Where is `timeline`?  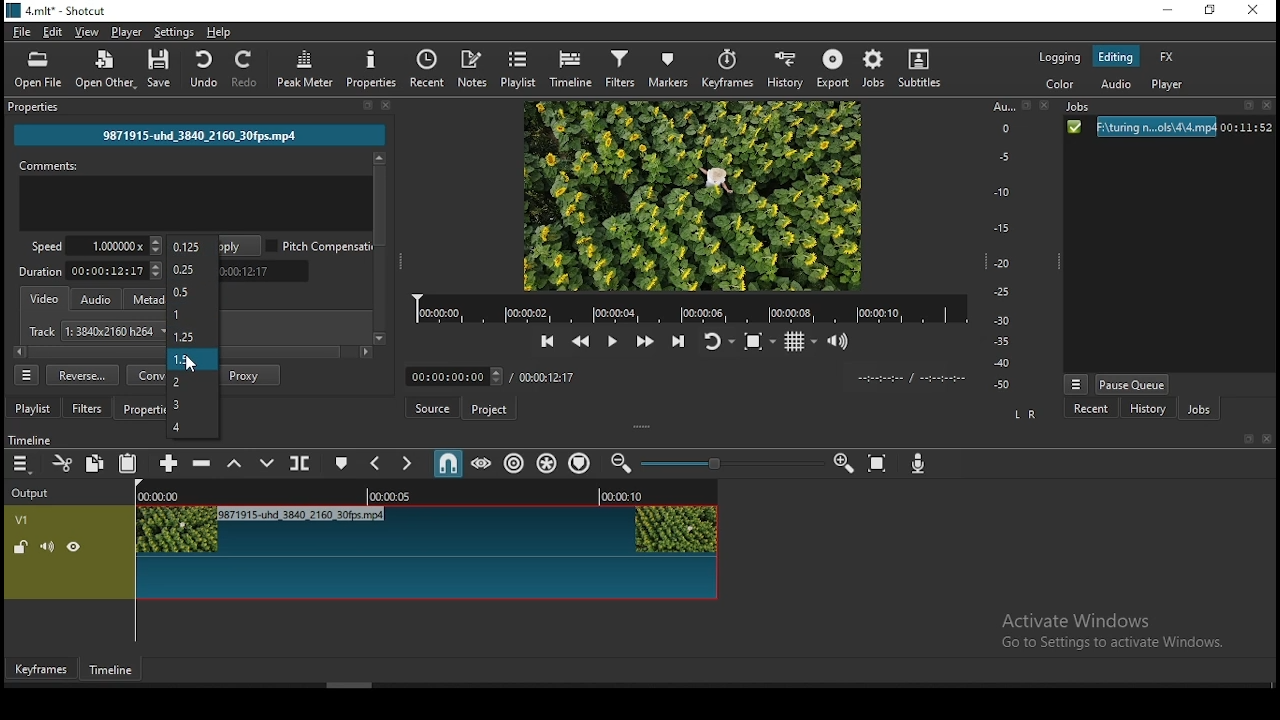
timeline is located at coordinates (39, 438).